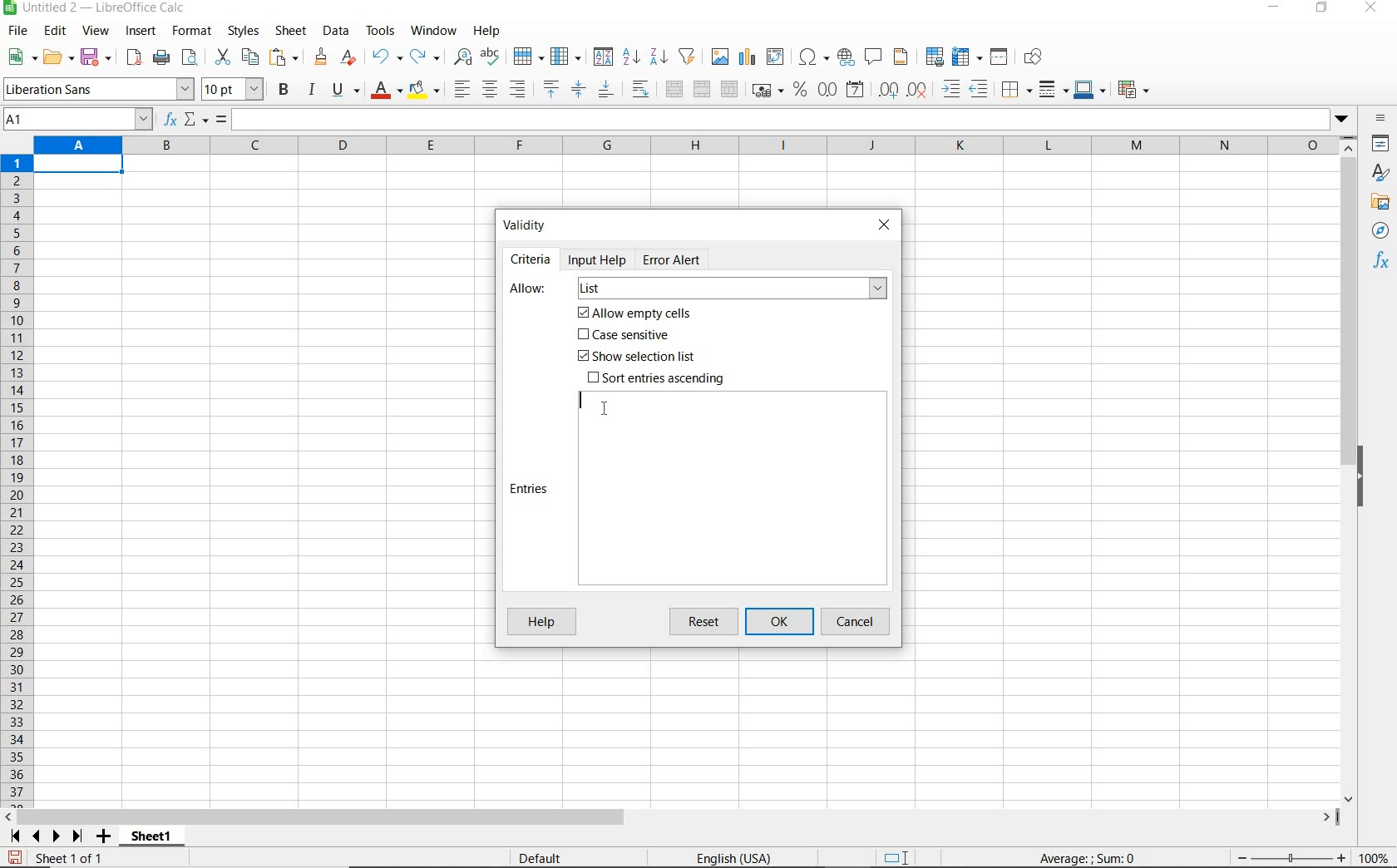 The height and width of the screenshot is (868, 1397). I want to click on row, so click(528, 57).